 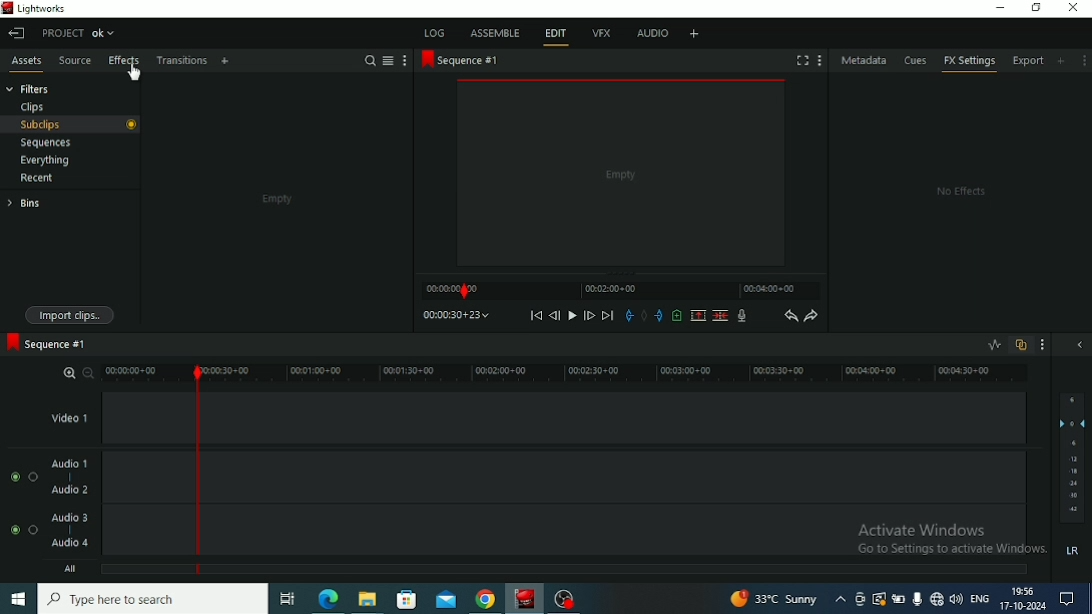 I want to click on Add layout, so click(x=693, y=33).